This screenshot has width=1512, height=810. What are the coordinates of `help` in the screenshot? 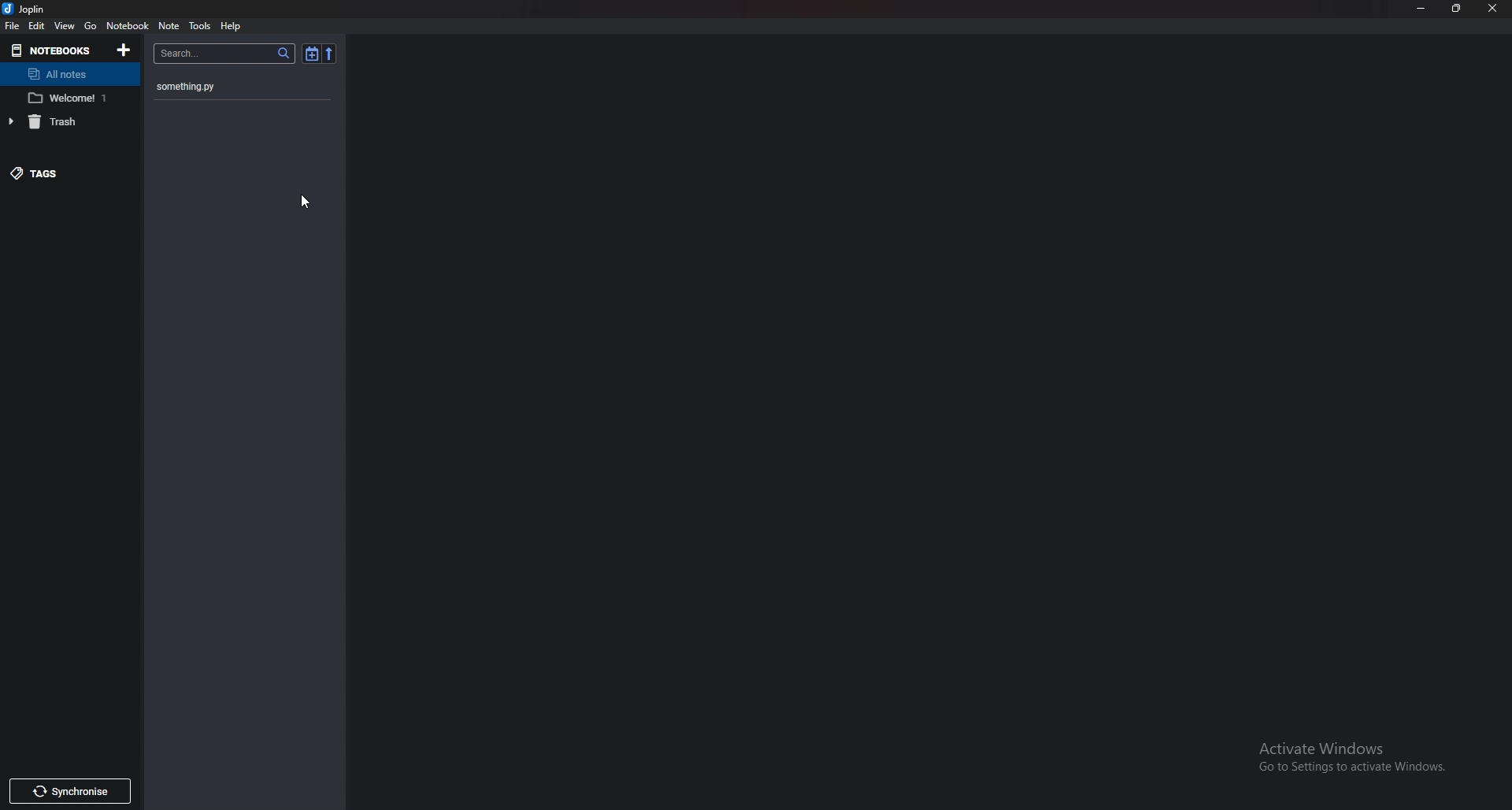 It's located at (231, 27).